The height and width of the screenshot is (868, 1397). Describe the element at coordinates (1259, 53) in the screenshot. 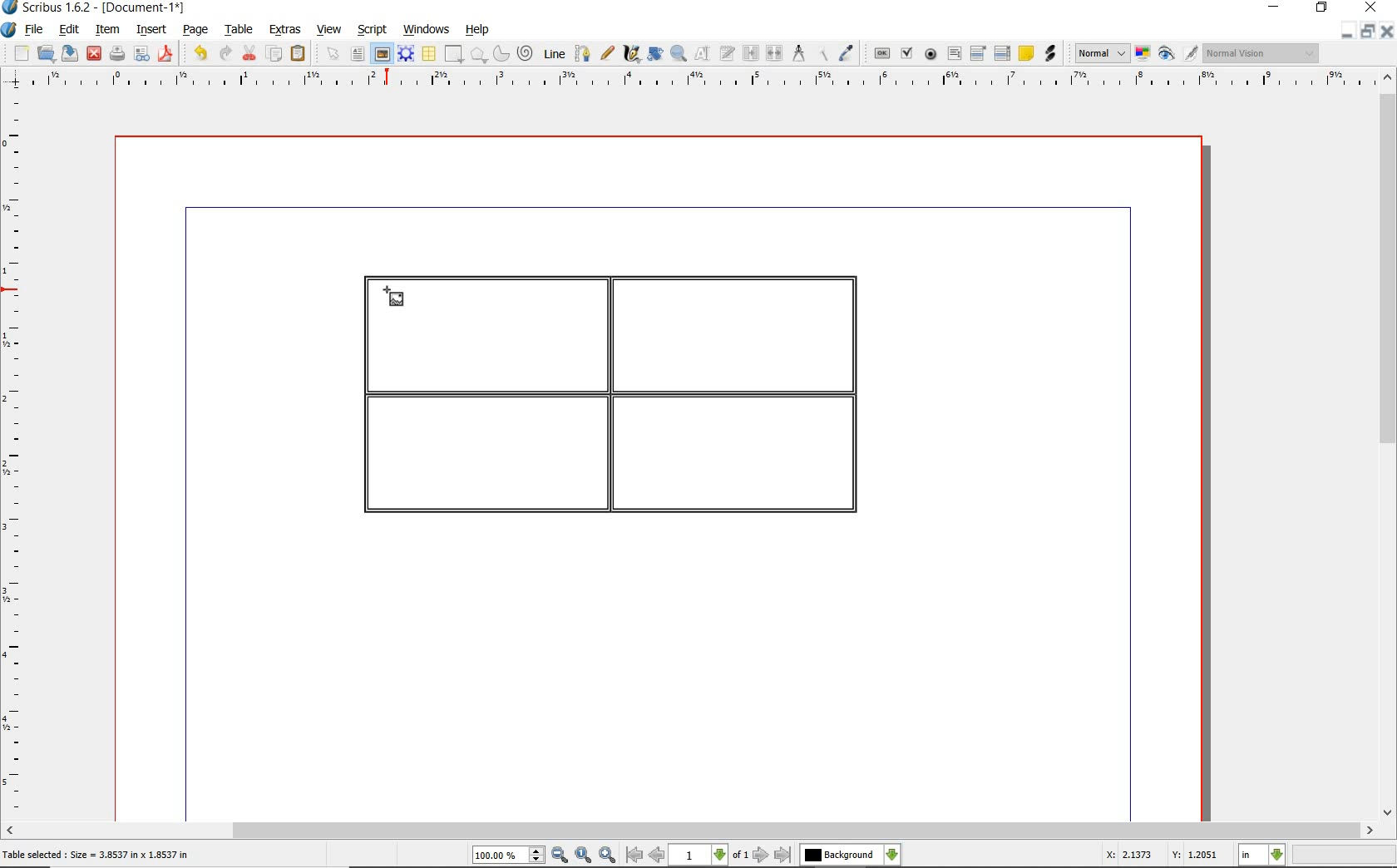

I see `visual appearance of the display` at that location.